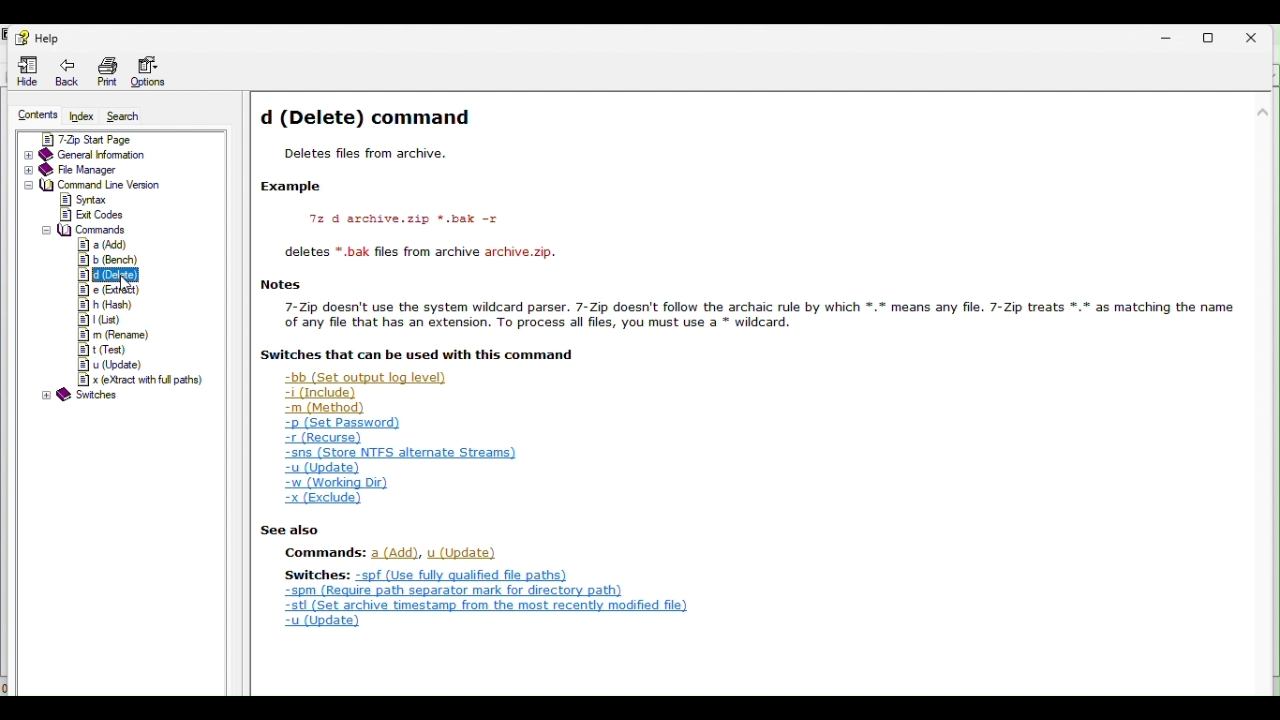 The width and height of the screenshot is (1280, 720). Describe the element at coordinates (109, 290) in the screenshot. I see `e` at that location.